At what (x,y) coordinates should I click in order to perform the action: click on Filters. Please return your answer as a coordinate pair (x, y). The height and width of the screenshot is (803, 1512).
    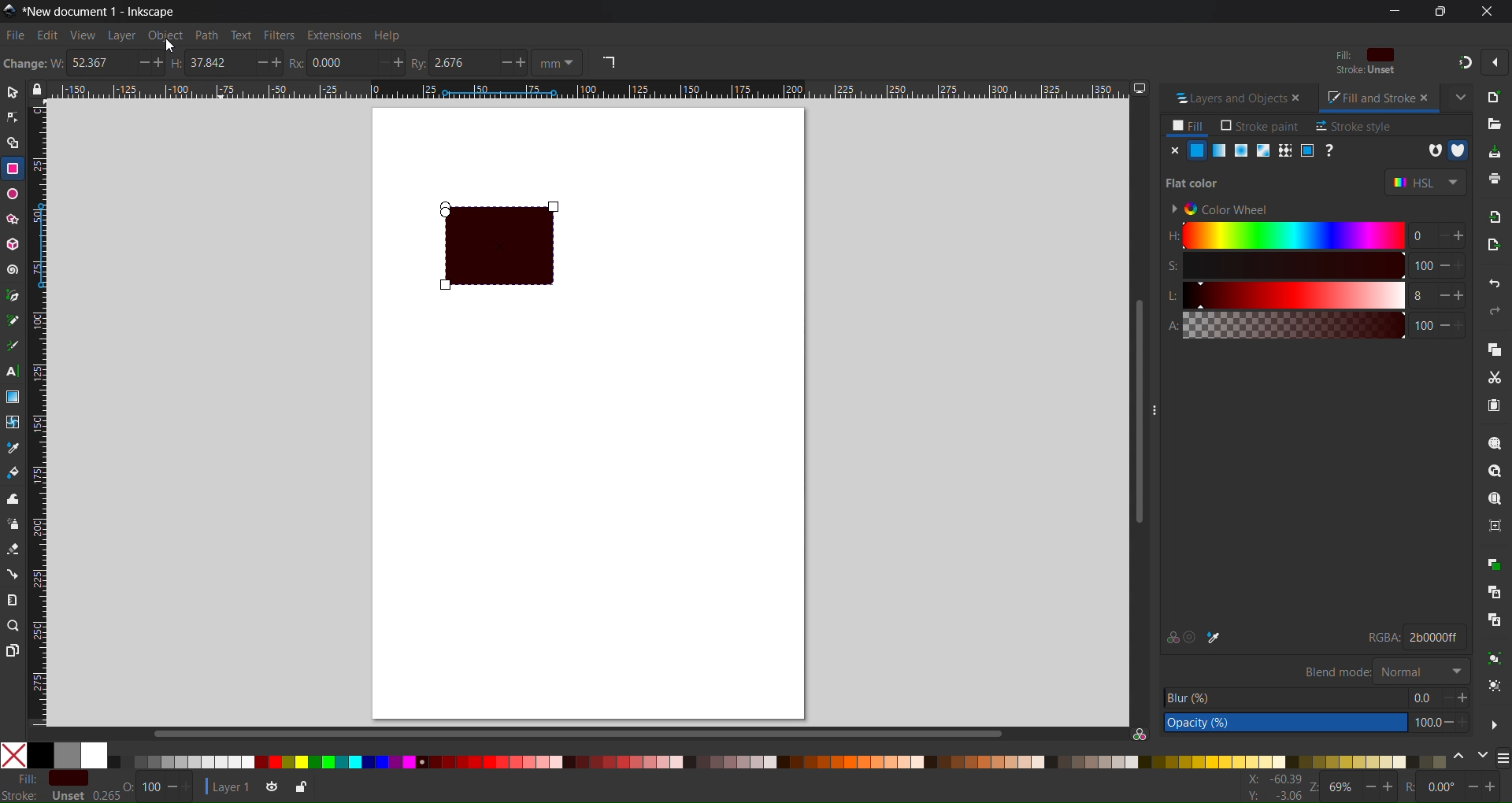
    Looking at the image, I should click on (279, 35).